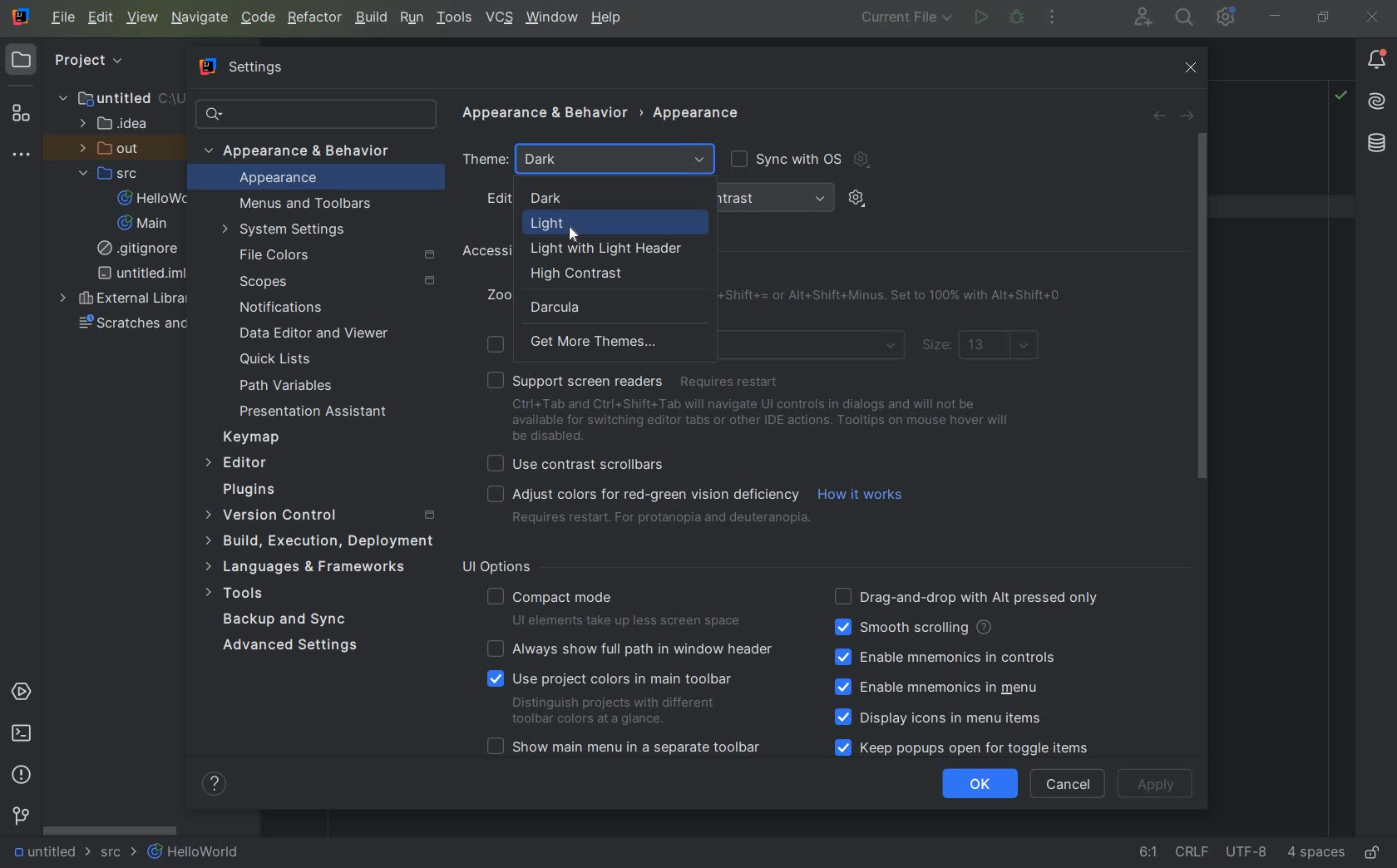 This screenshot has width=1397, height=868. What do you see at coordinates (580, 250) in the screenshot?
I see `Accessibility: light with light header` at bounding box center [580, 250].